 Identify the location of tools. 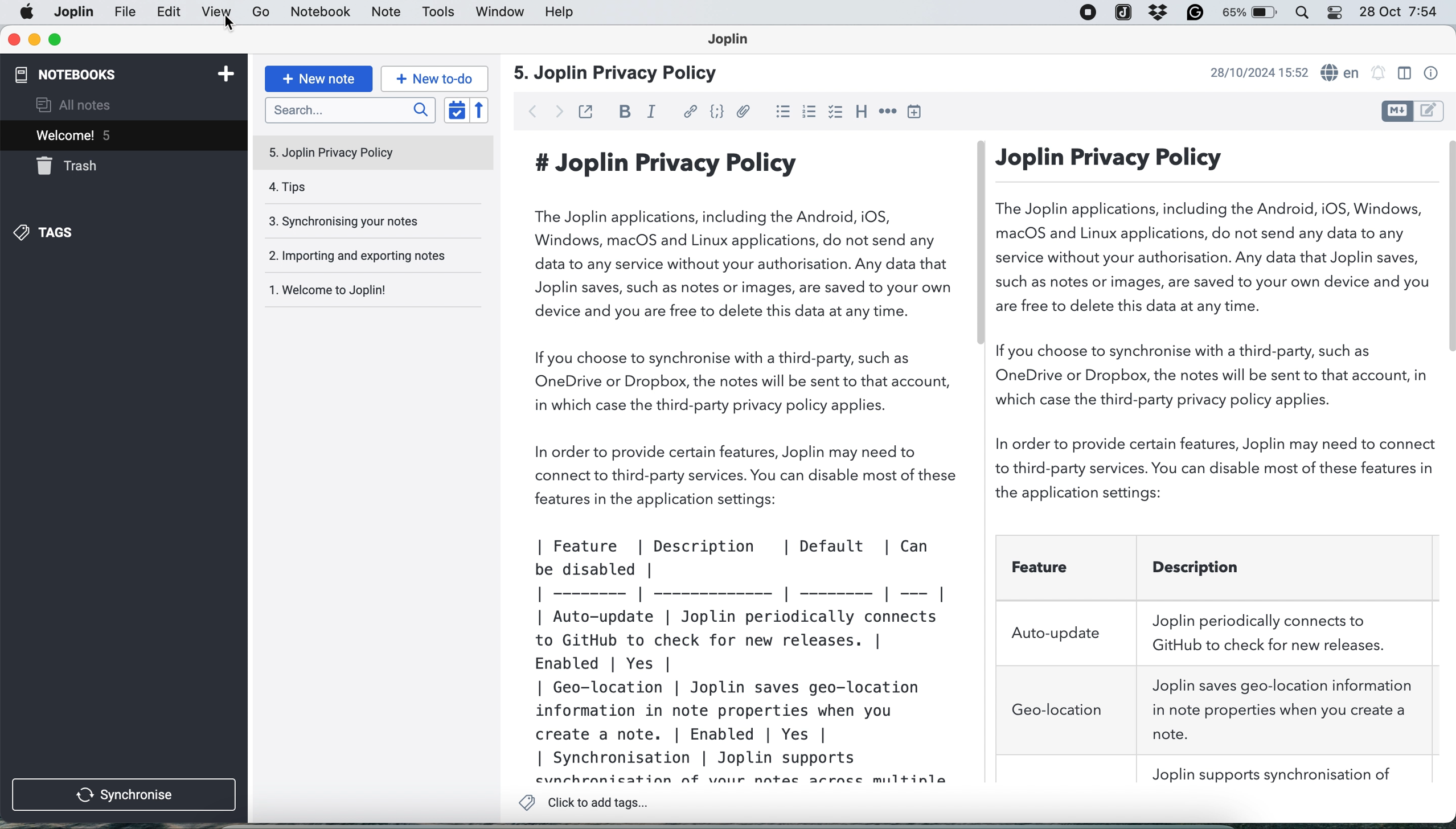
(439, 13).